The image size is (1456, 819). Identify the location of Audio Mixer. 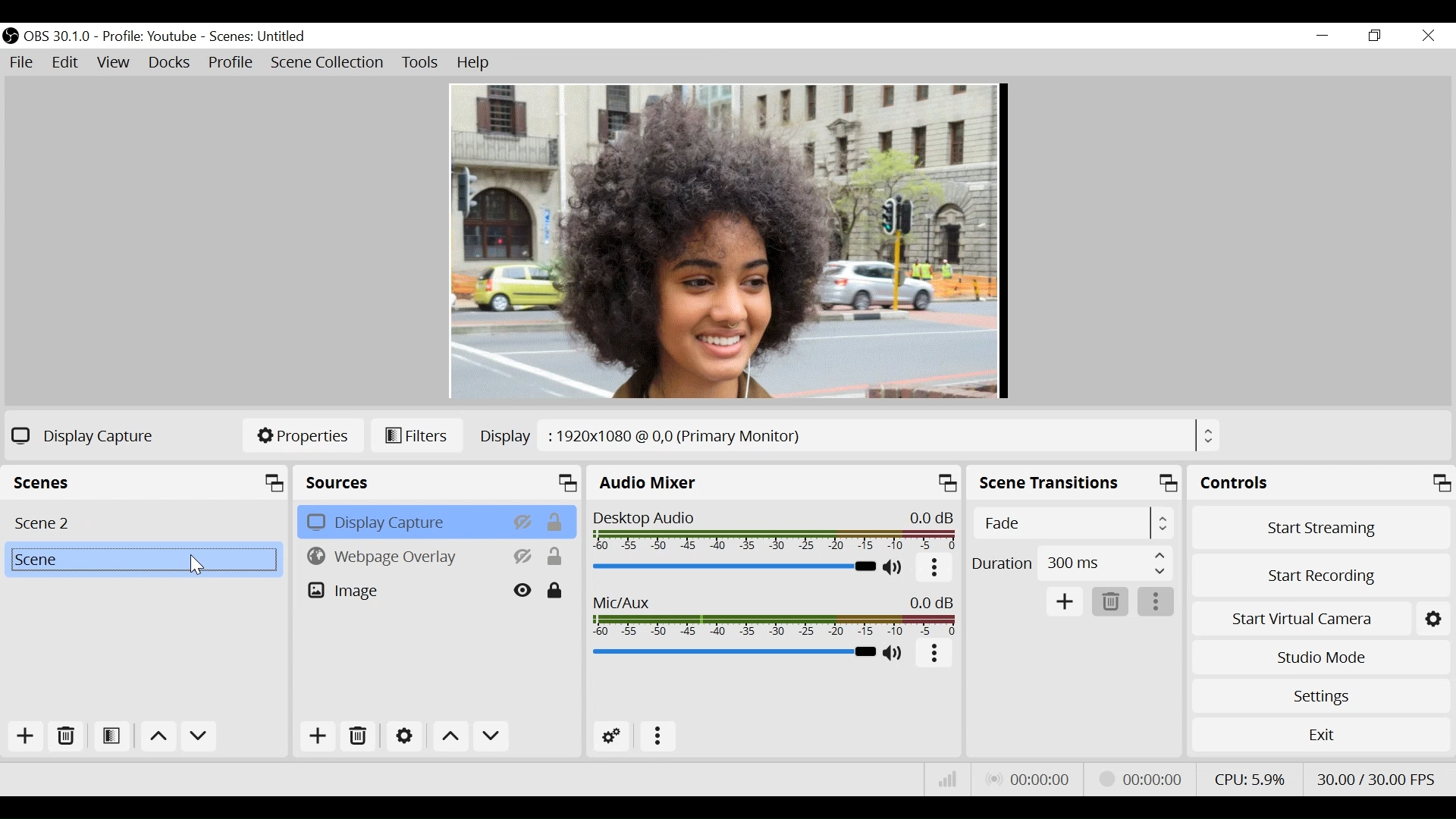
(775, 482).